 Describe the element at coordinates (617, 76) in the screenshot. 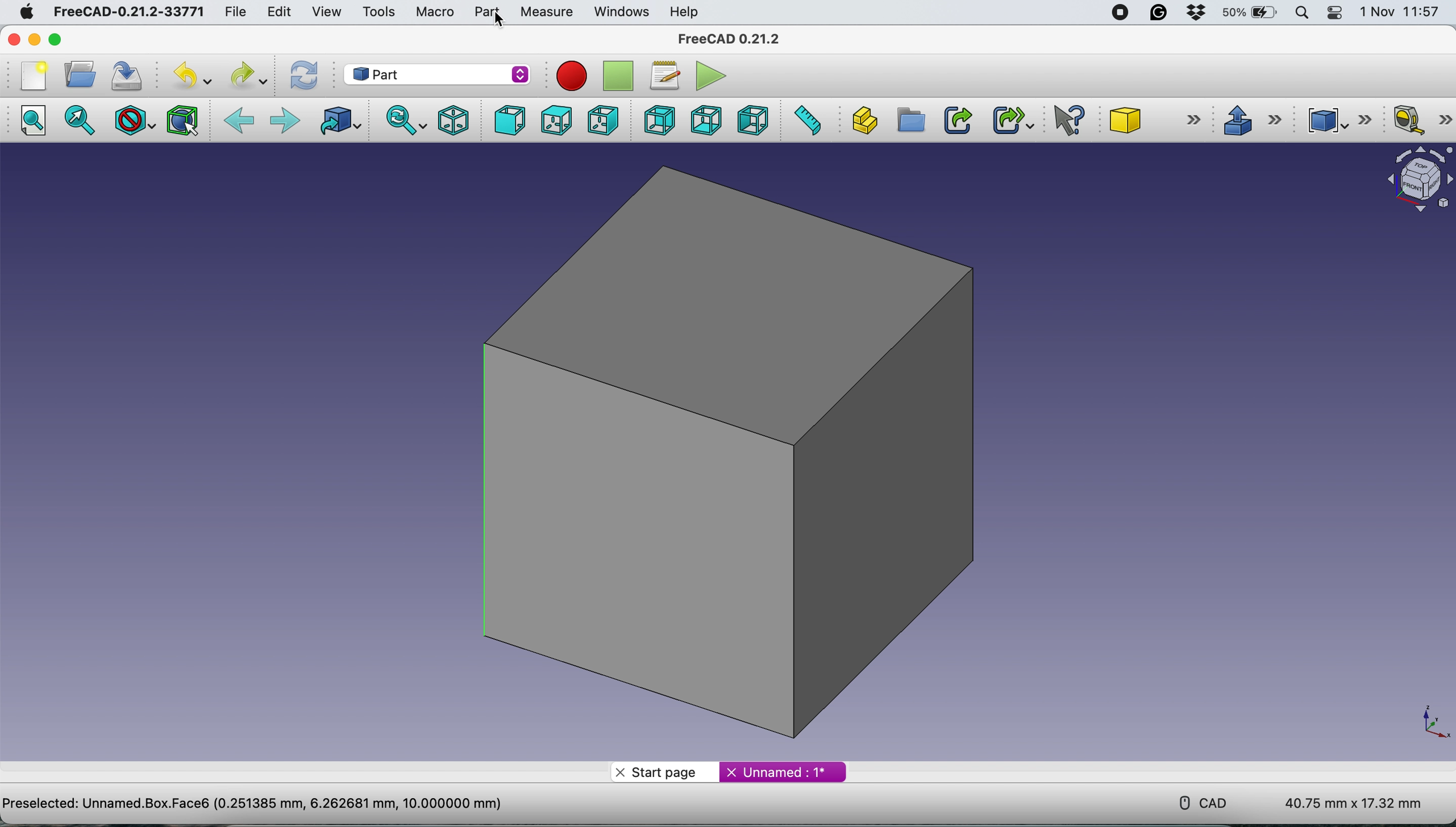

I see `stop recording macros` at that location.